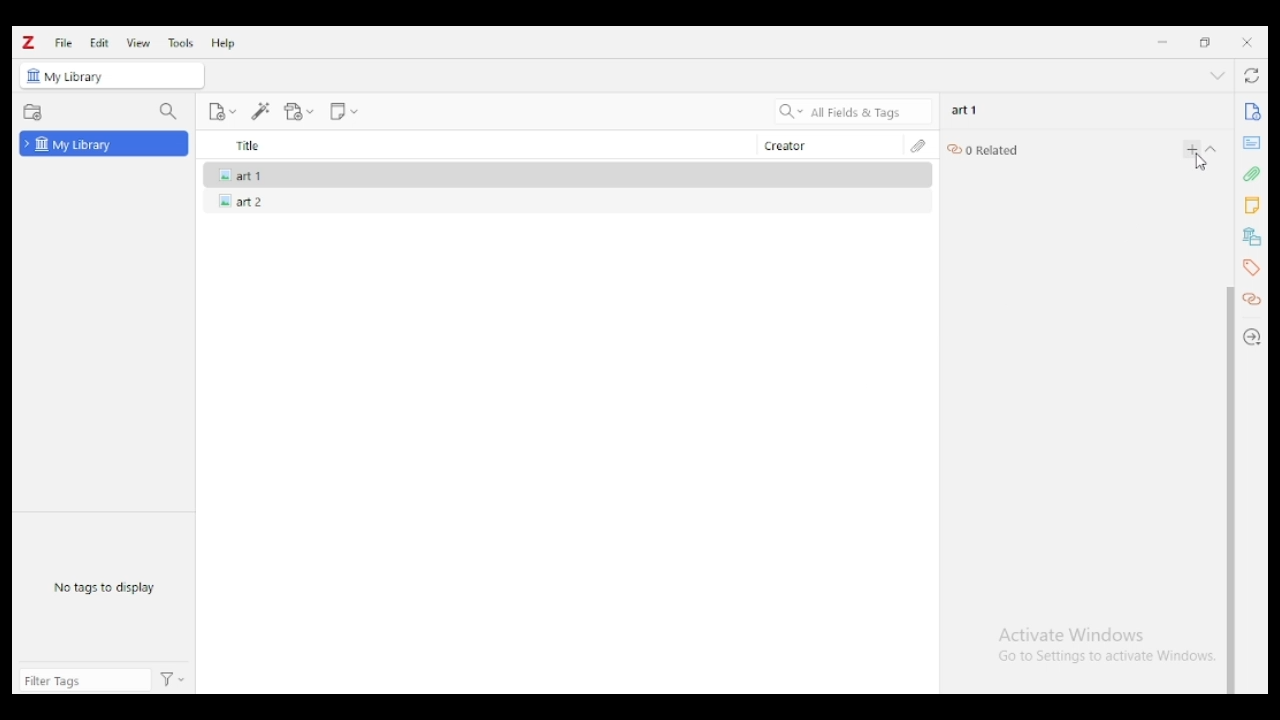 The image size is (1280, 720). What do you see at coordinates (299, 112) in the screenshot?
I see `add attachment` at bounding box center [299, 112].